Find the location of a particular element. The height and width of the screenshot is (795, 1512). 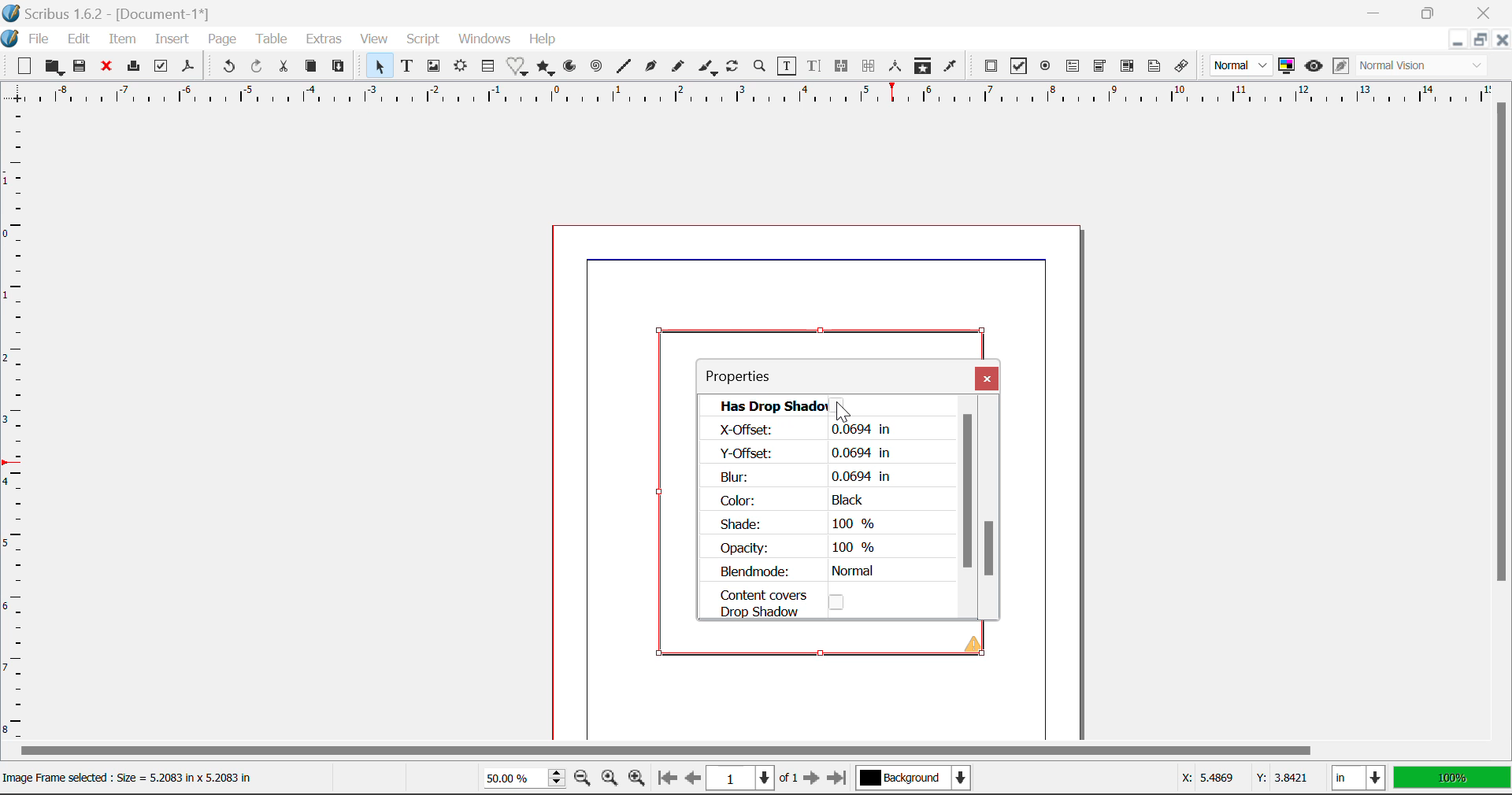

100% is located at coordinates (1454, 778).